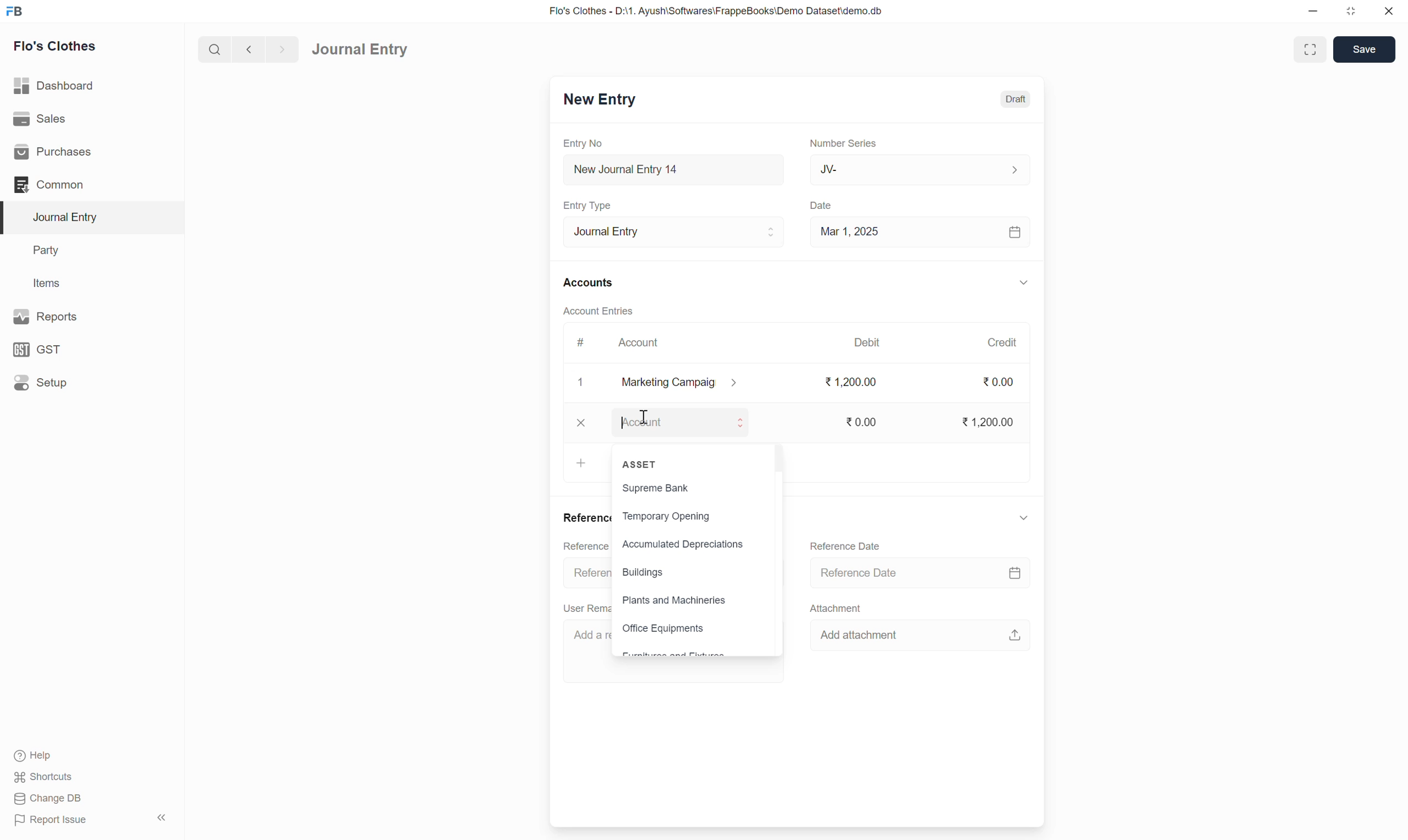 This screenshot has height=840, width=1408. Describe the element at coordinates (579, 463) in the screenshot. I see `add` at that location.